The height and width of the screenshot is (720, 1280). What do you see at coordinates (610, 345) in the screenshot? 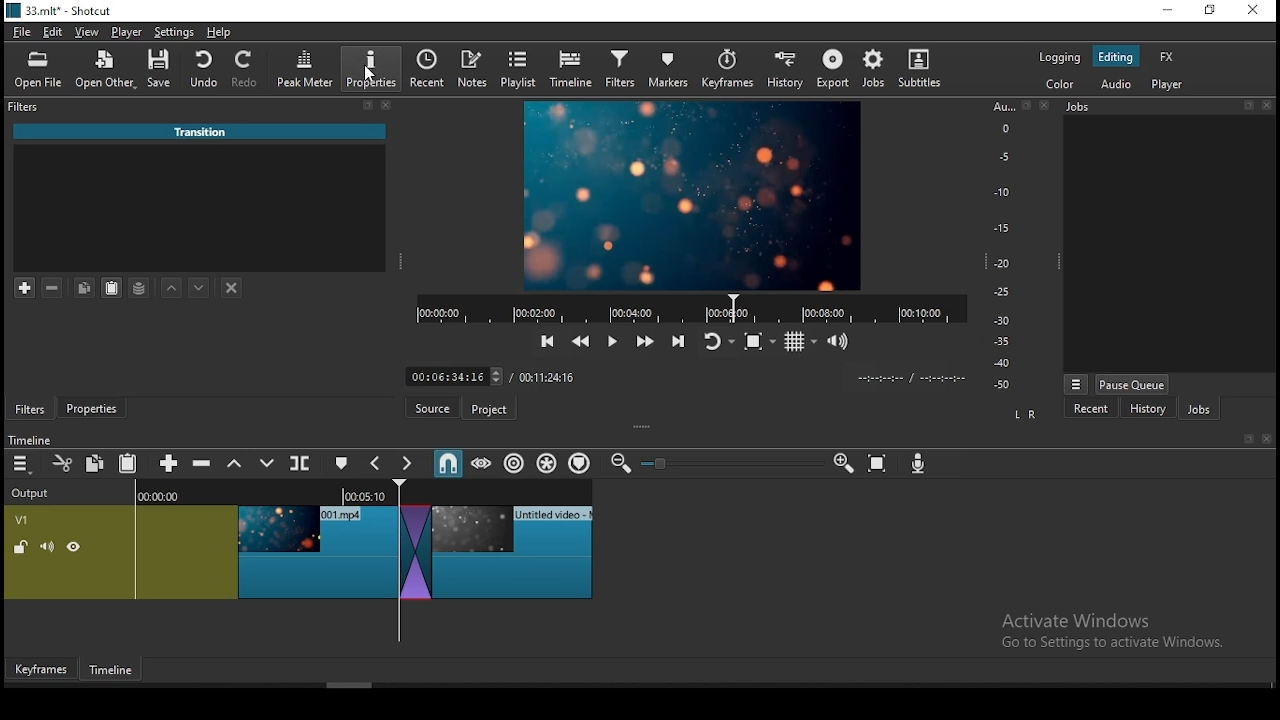
I see `play/pause` at bounding box center [610, 345].